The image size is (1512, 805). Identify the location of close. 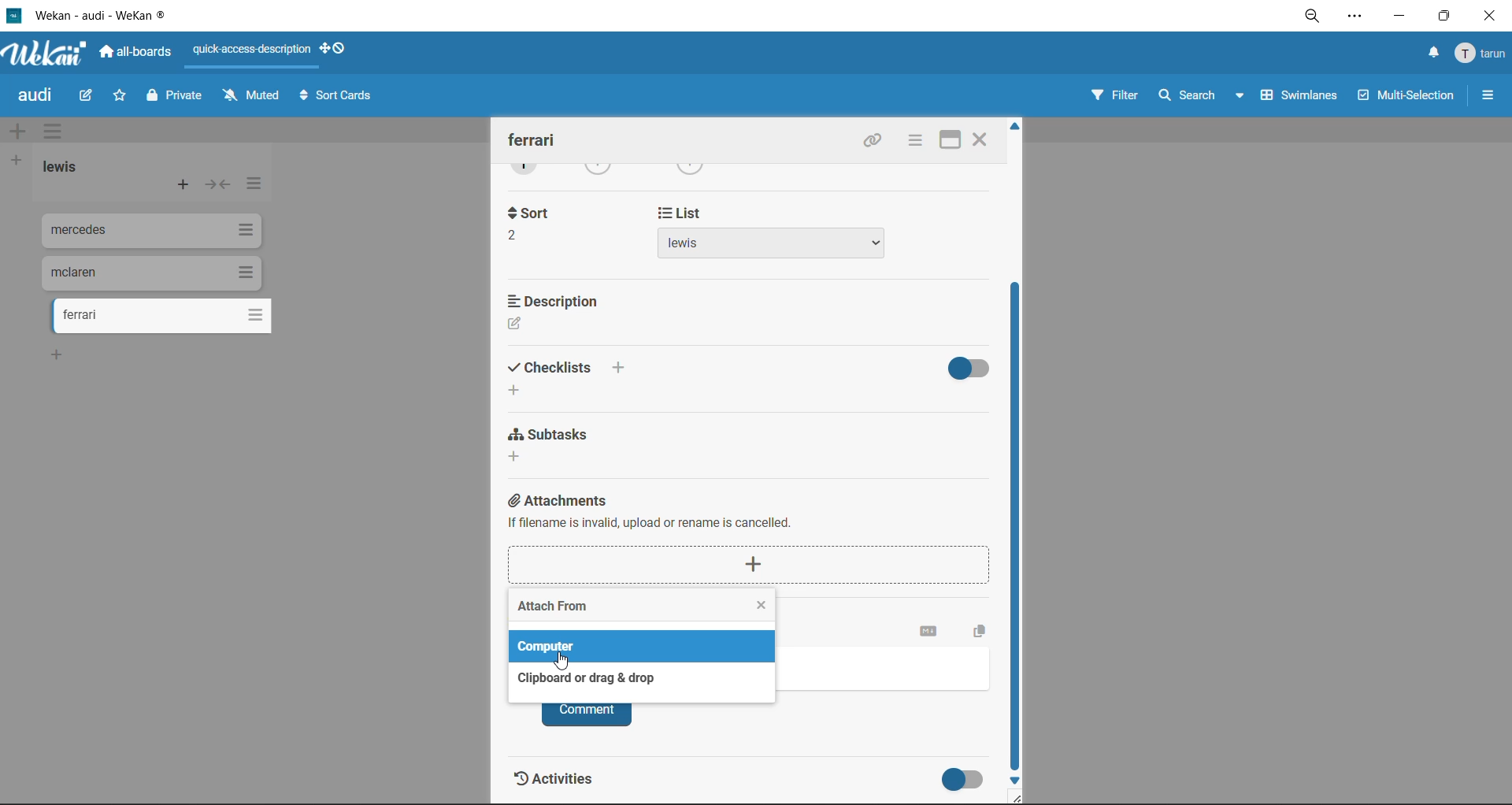
(1492, 18).